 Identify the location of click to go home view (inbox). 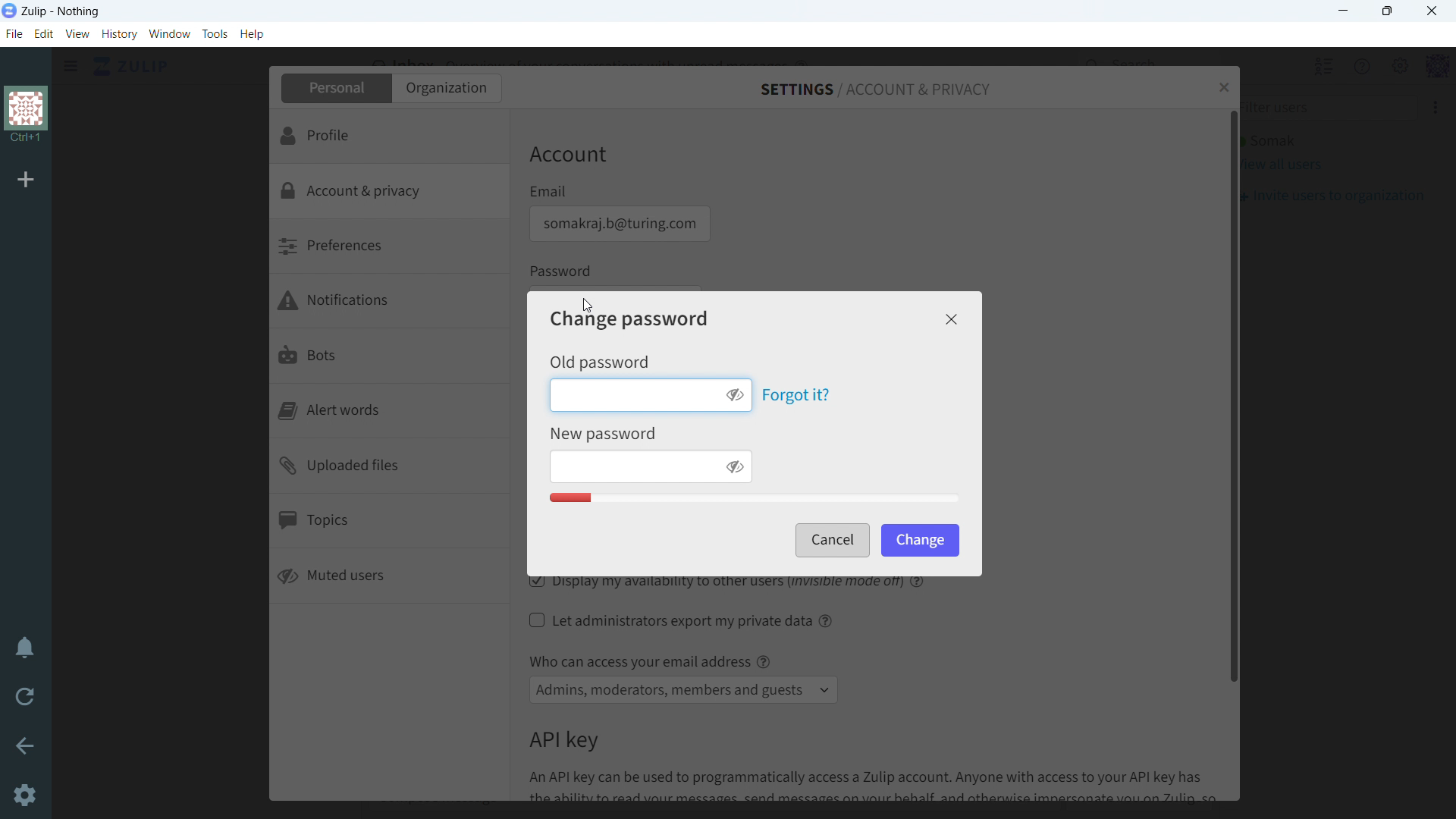
(132, 65).